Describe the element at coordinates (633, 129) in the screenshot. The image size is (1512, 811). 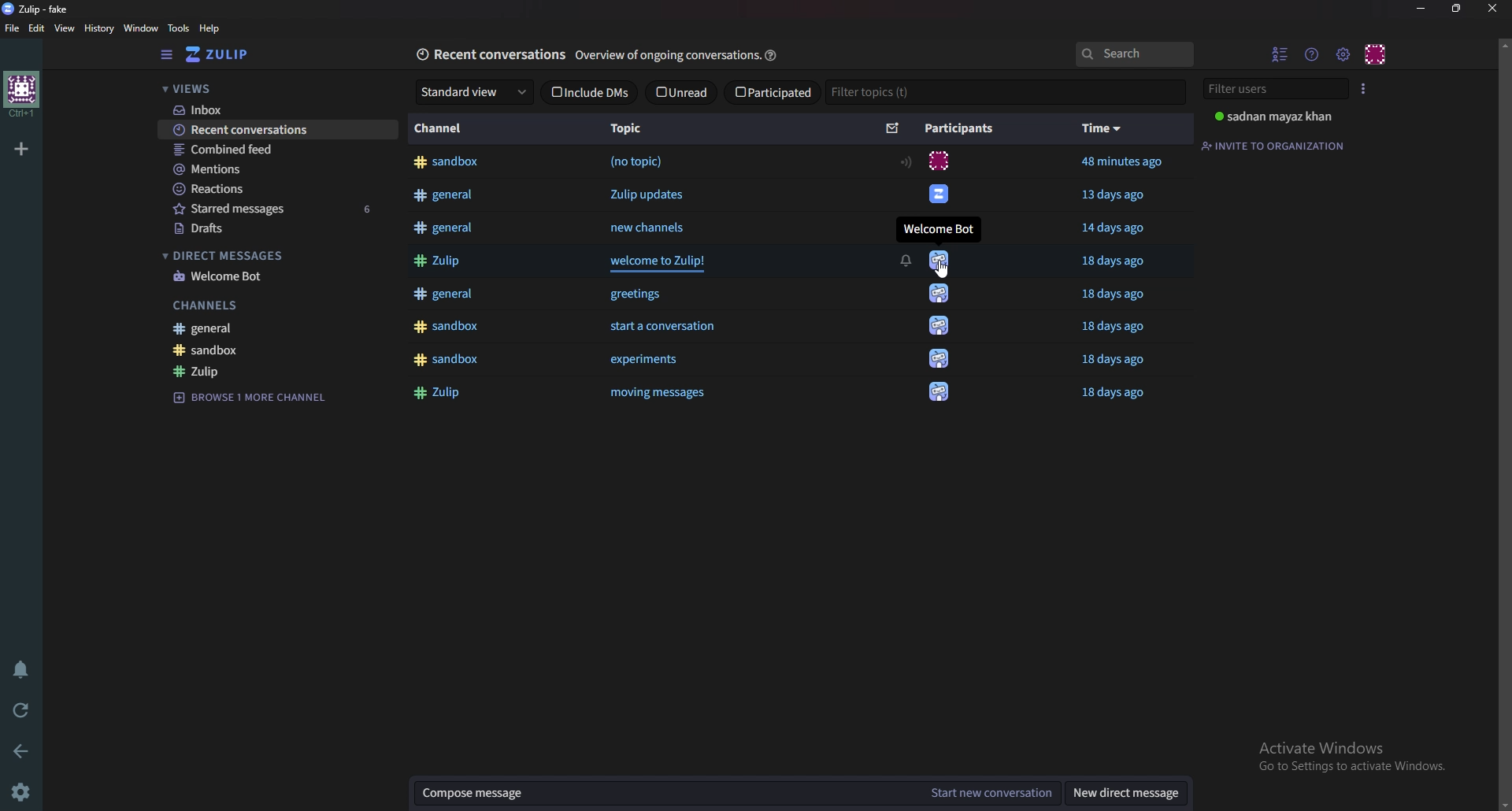
I see `topic` at that location.